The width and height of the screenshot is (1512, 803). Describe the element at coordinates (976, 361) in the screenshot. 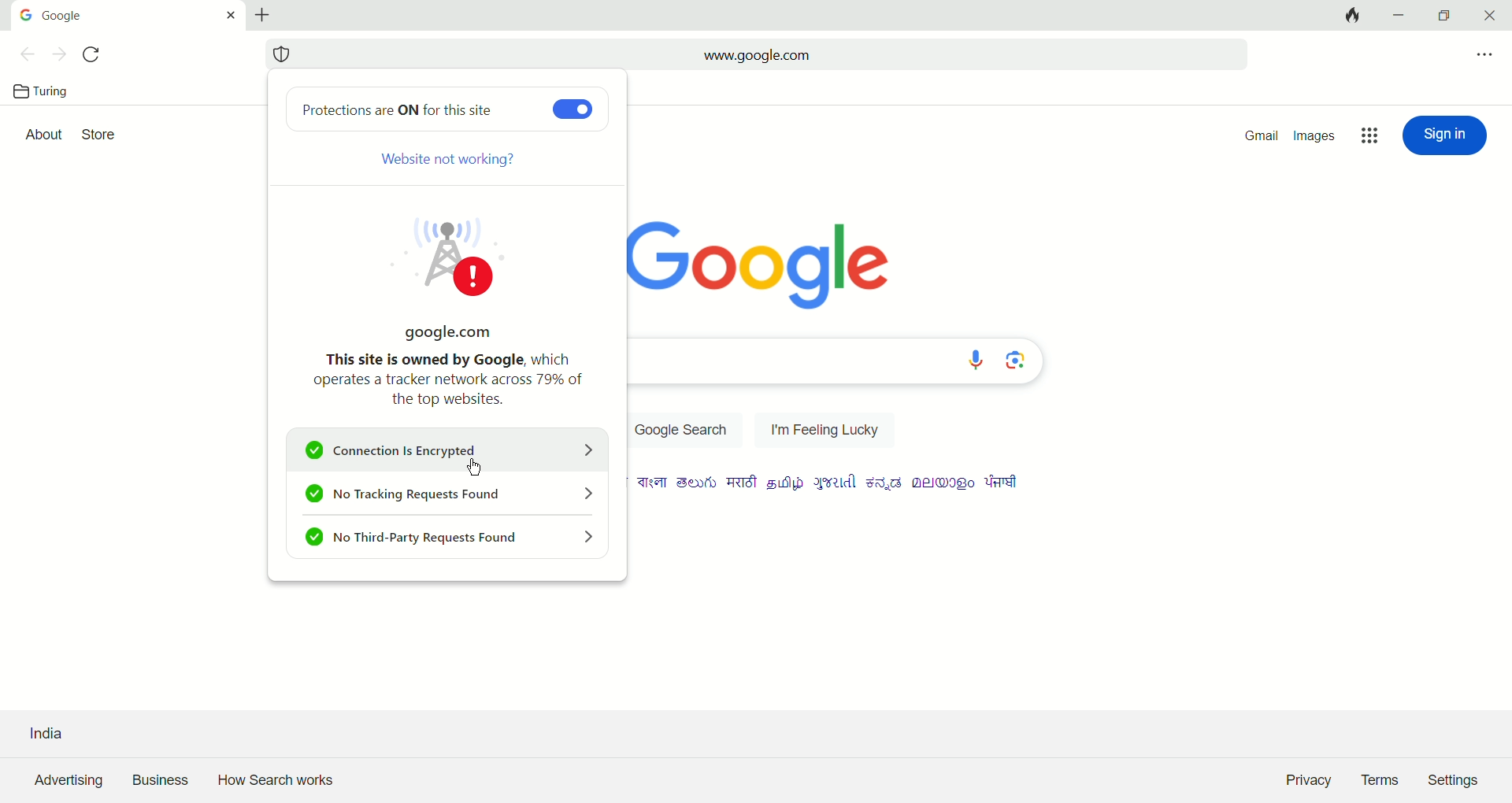

I see `voice search` at that location.